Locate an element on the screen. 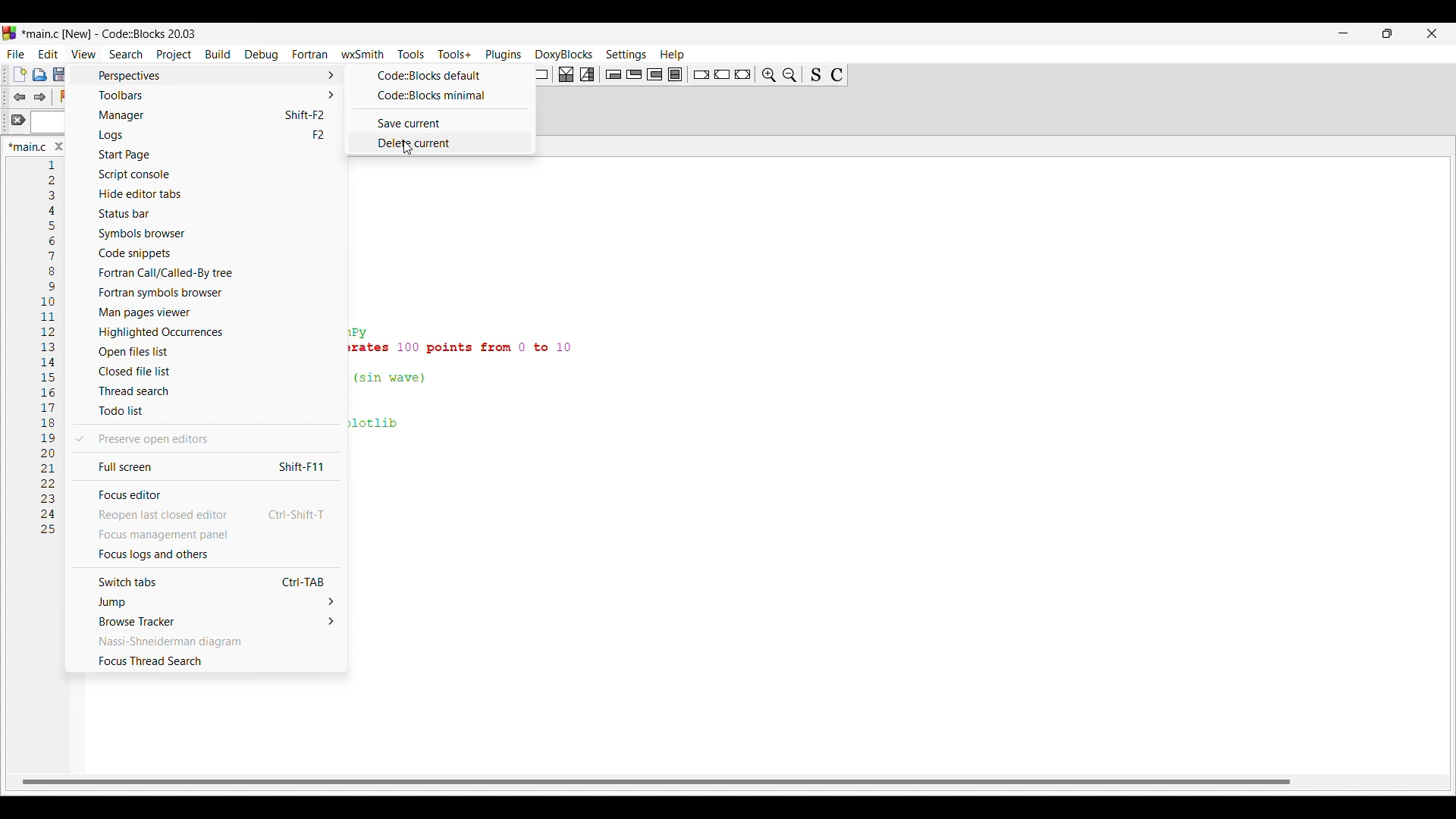 The width and height of the screenshot is (1456, 819). Script console is located at coordinates (211, 174).